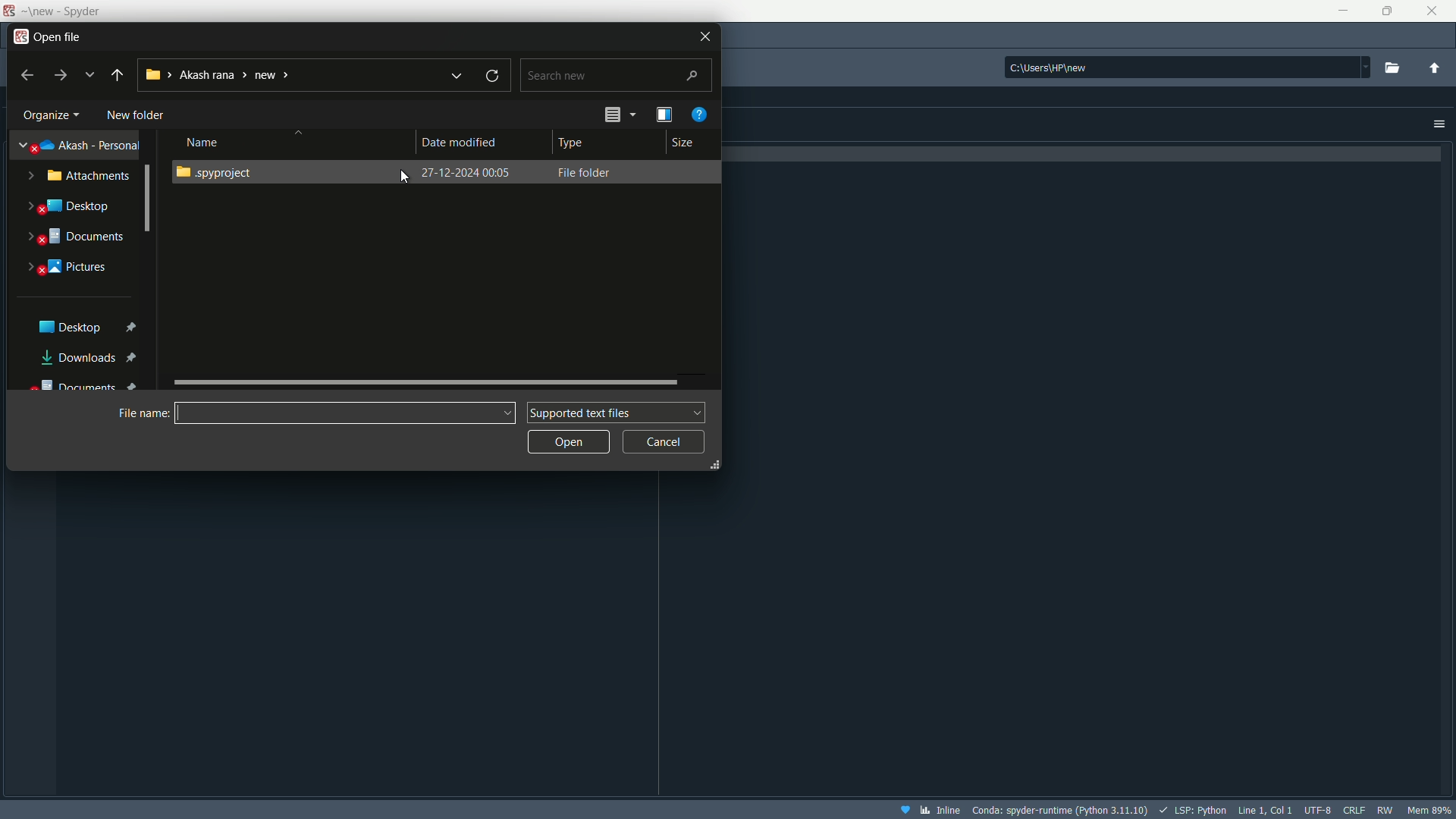 The width and height of the screenshot is (1456, 819). I want to click on Type, so click(580, 143).